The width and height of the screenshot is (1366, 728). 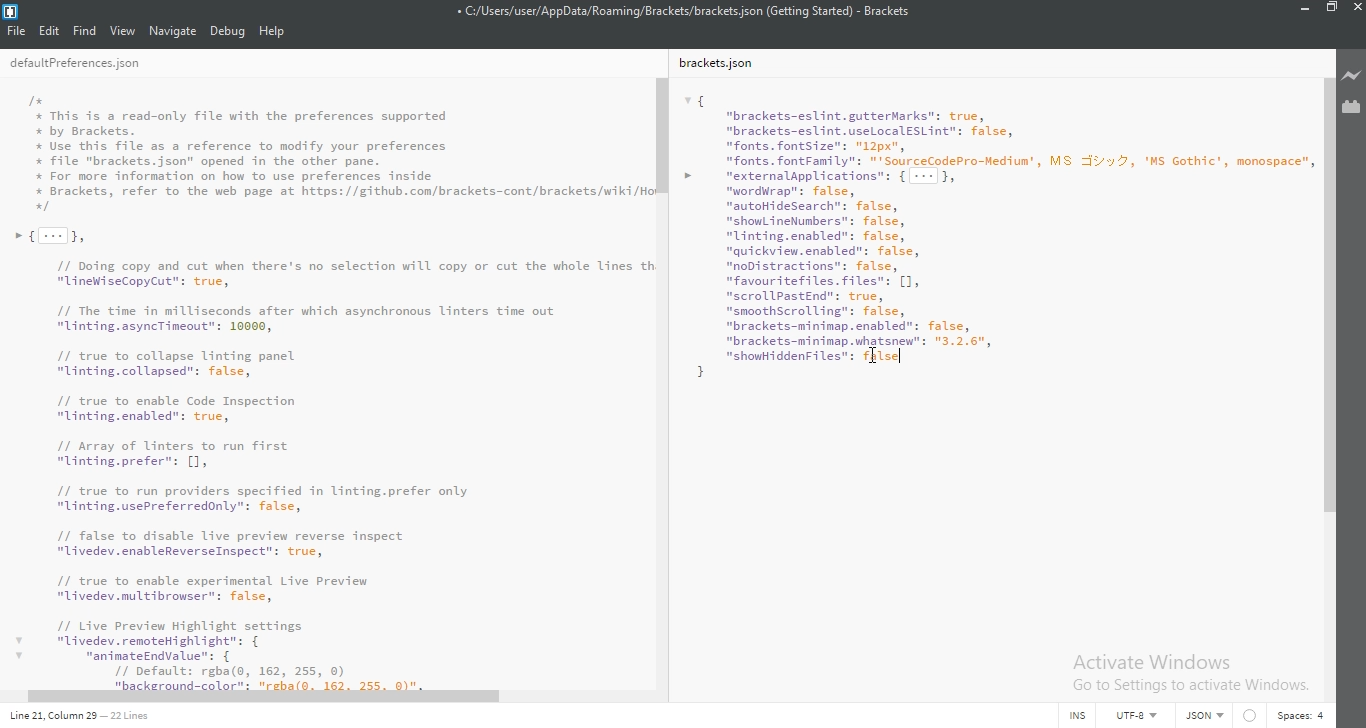 What do you see at coordinates (49, 31) in the screenshot?
I see `Edit` at bounding box center [49, 31].